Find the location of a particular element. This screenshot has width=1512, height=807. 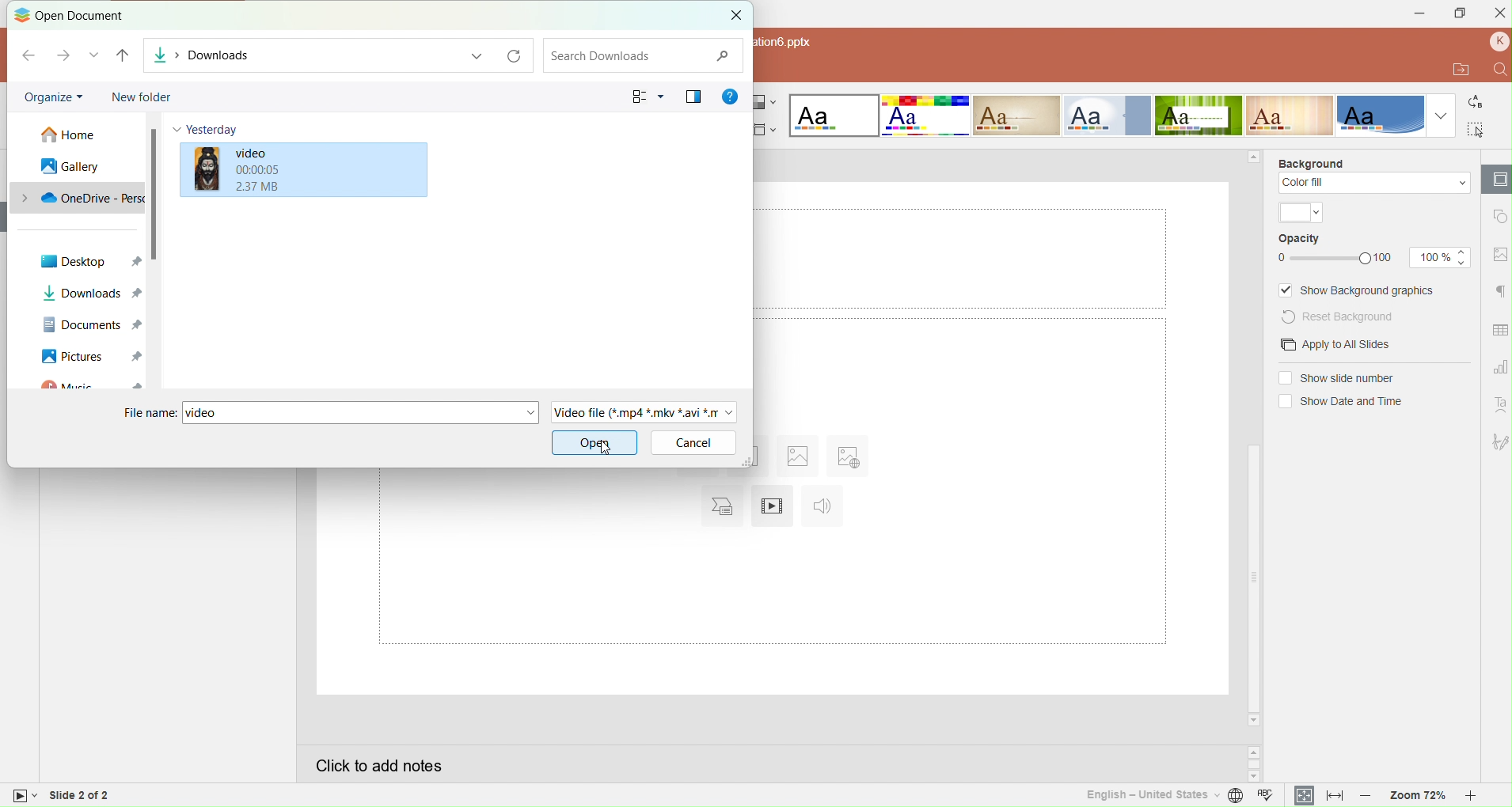

Green leaf is located at coordinates (1199, 116).